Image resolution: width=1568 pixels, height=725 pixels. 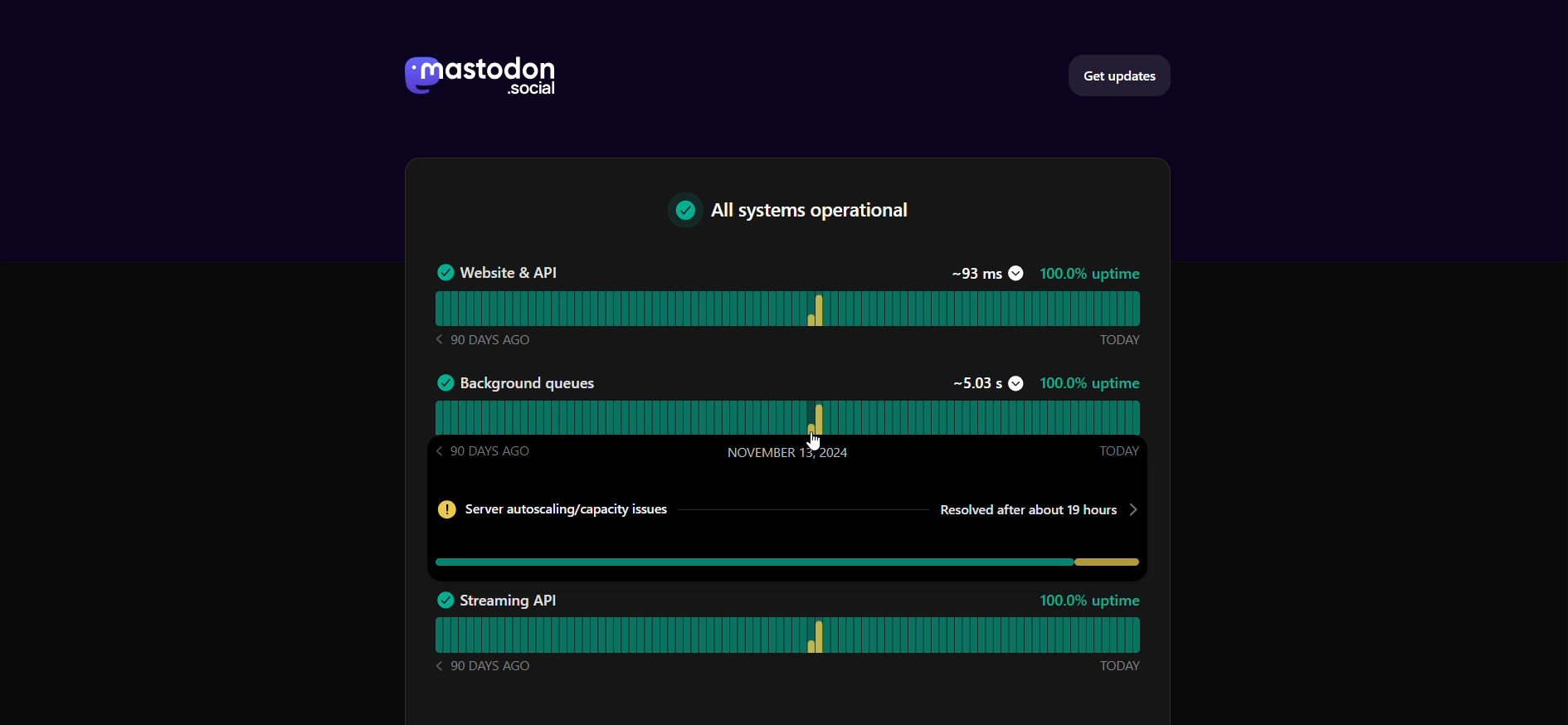 What do you see at coordinates (519, 382) in the screenshot?
I see `Background queues` at bounding box center [519, 382].